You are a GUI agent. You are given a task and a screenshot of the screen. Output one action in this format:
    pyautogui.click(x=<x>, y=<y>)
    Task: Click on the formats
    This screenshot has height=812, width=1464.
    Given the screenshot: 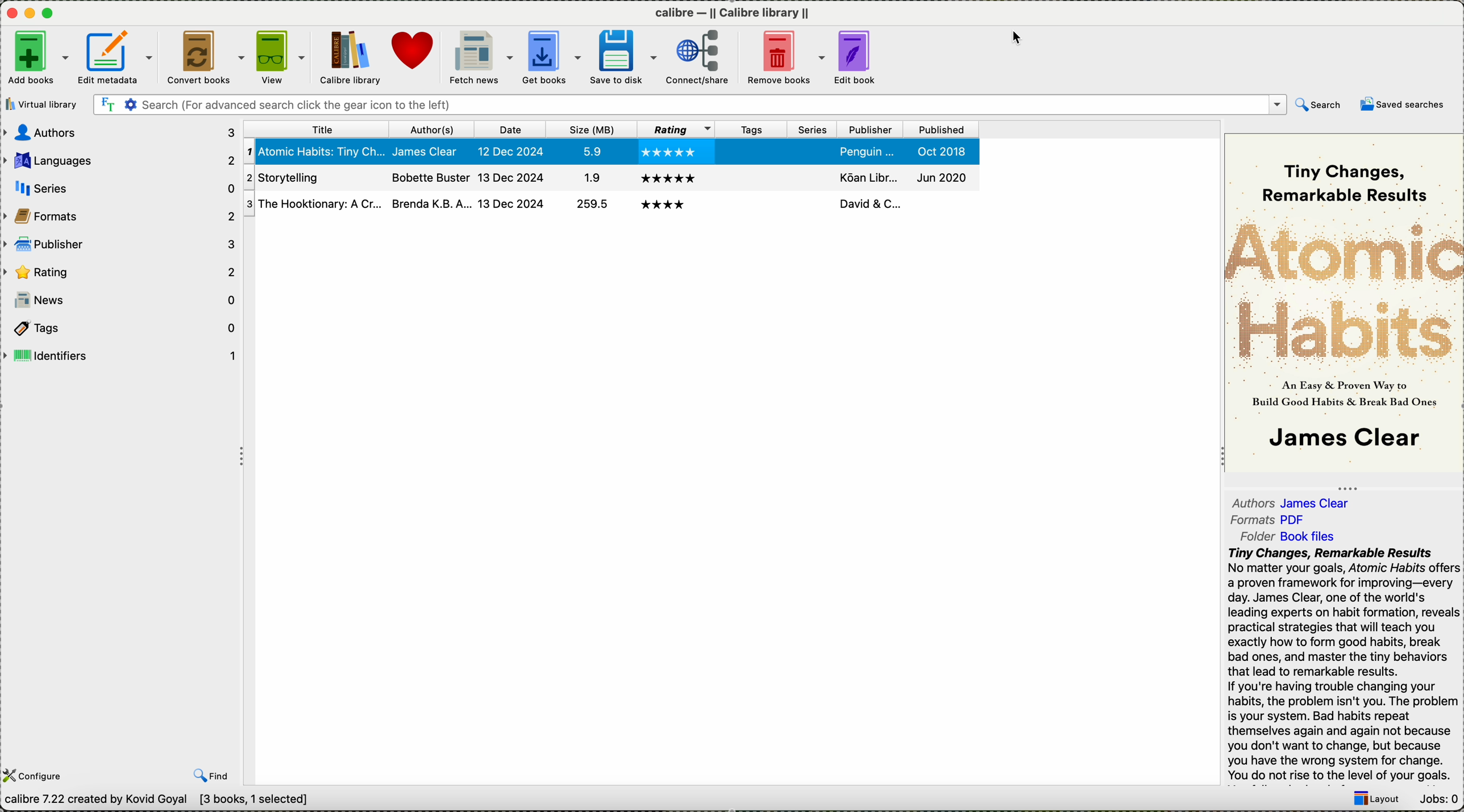 What is the action you would take?
    pyautogui.click(x=120, y=215)
    